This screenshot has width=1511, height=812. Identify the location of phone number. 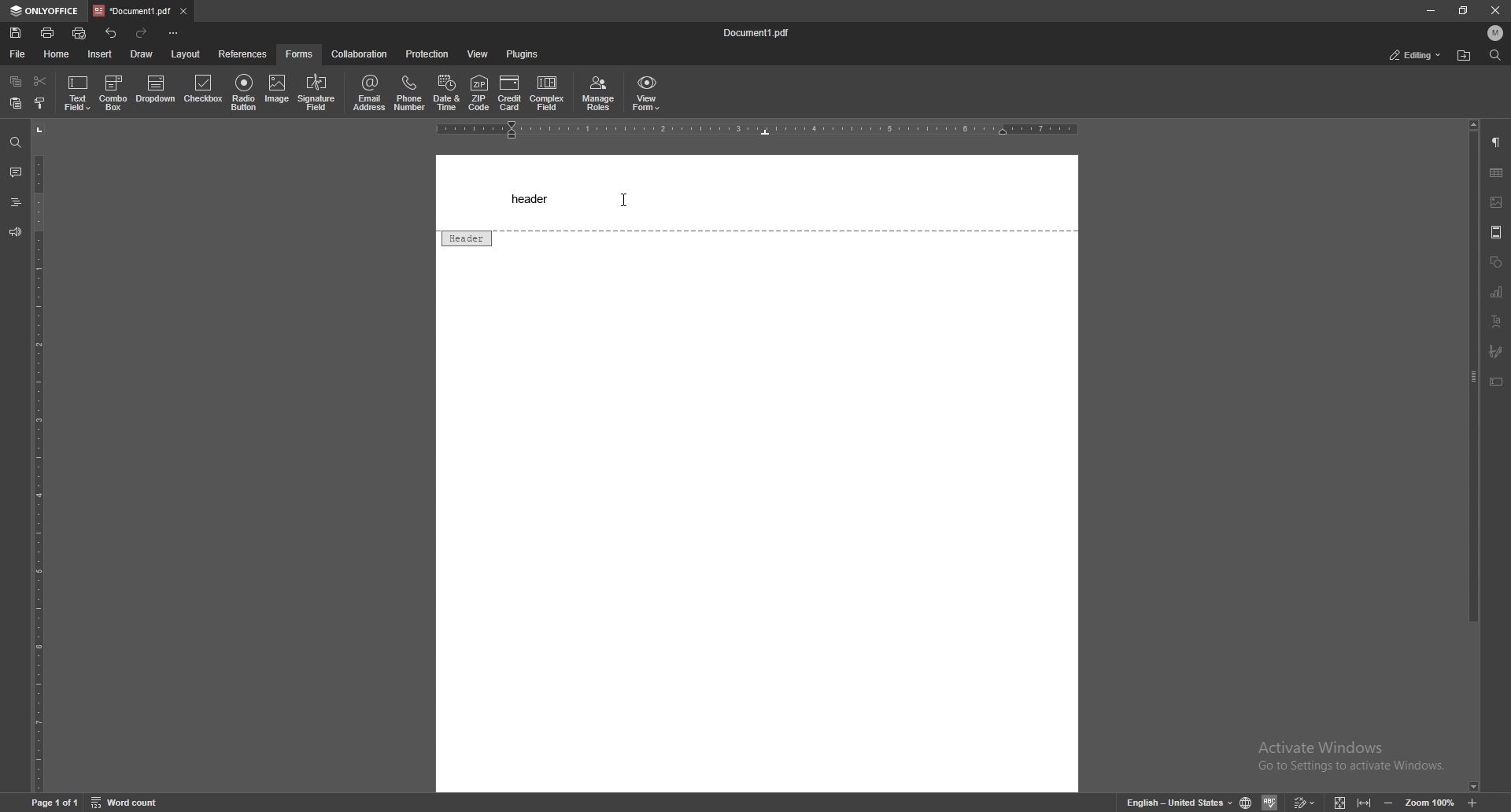
(409, 93).